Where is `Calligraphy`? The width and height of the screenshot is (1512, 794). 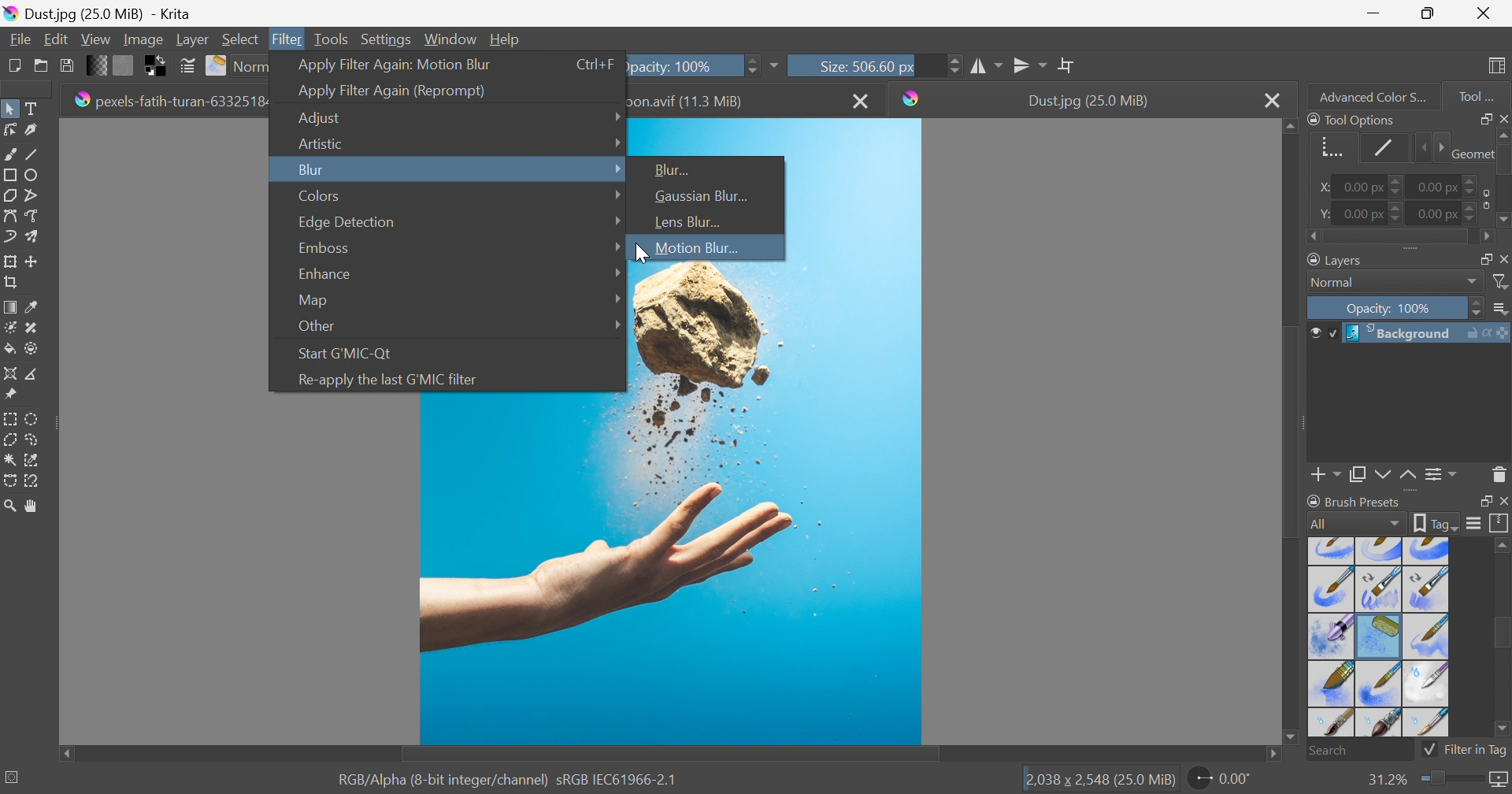
Calligraphy is located at coordinates (36, 131).